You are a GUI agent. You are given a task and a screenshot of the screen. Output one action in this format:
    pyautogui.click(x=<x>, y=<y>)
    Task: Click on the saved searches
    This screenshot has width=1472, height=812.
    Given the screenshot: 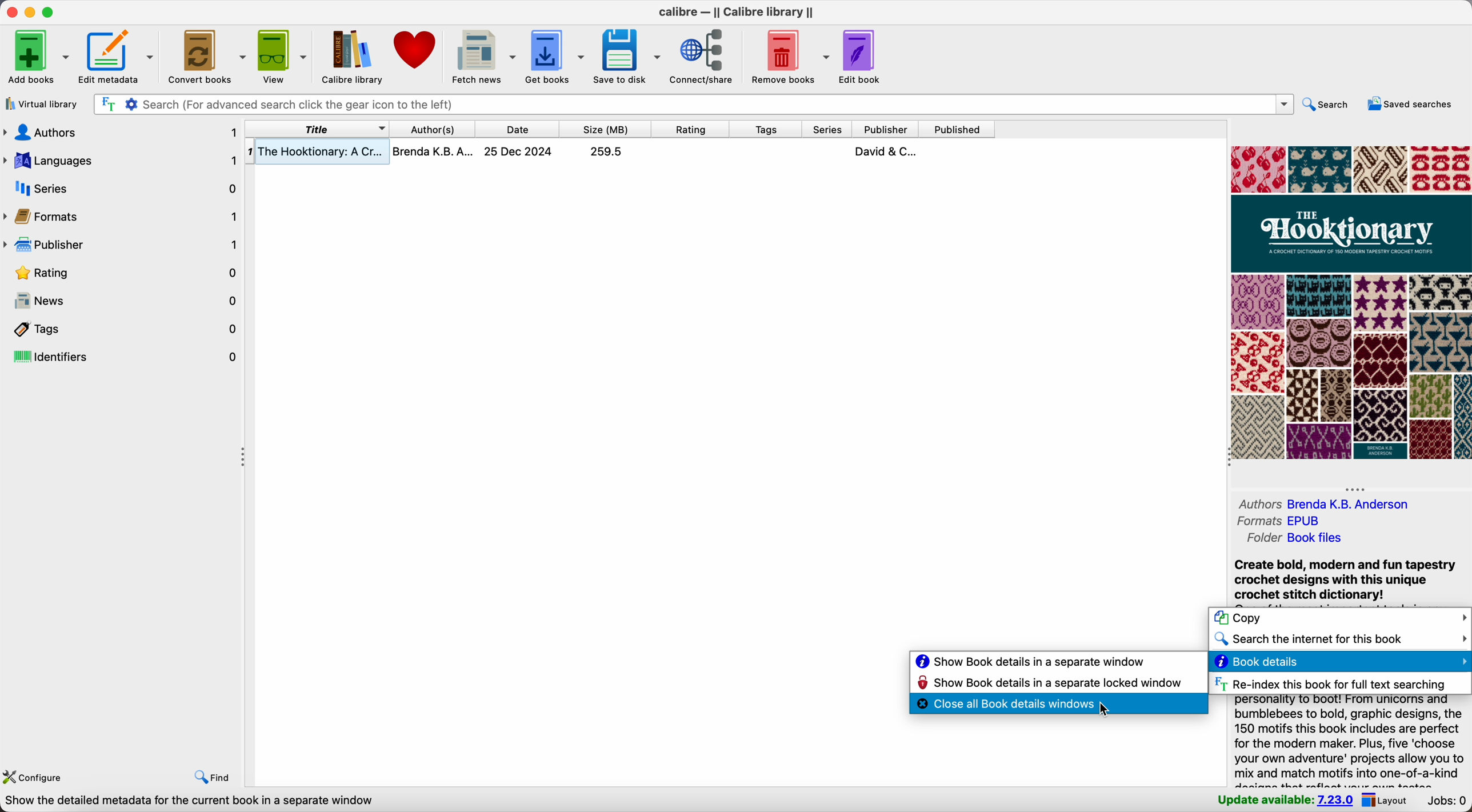 What is the action you would take?
    pyautogui.click(x=1410, y=104)
    